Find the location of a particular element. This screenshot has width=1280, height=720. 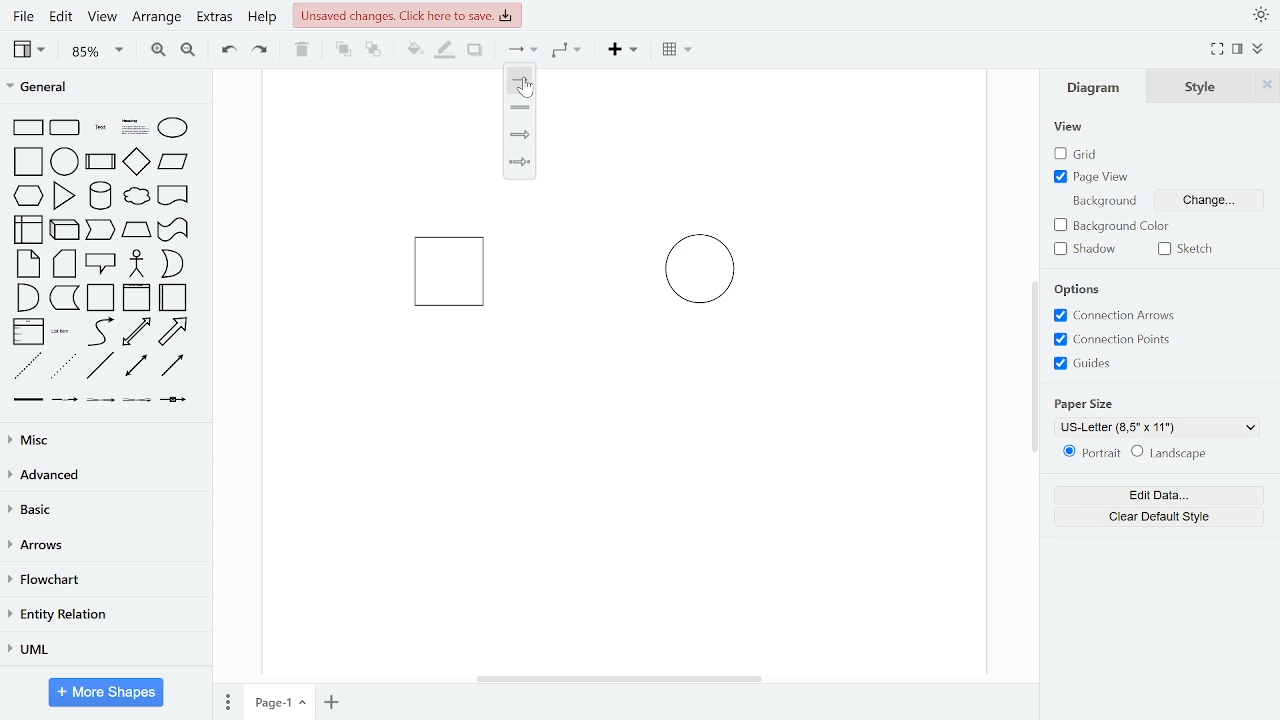

guides is located at coordinates (1083, 363).